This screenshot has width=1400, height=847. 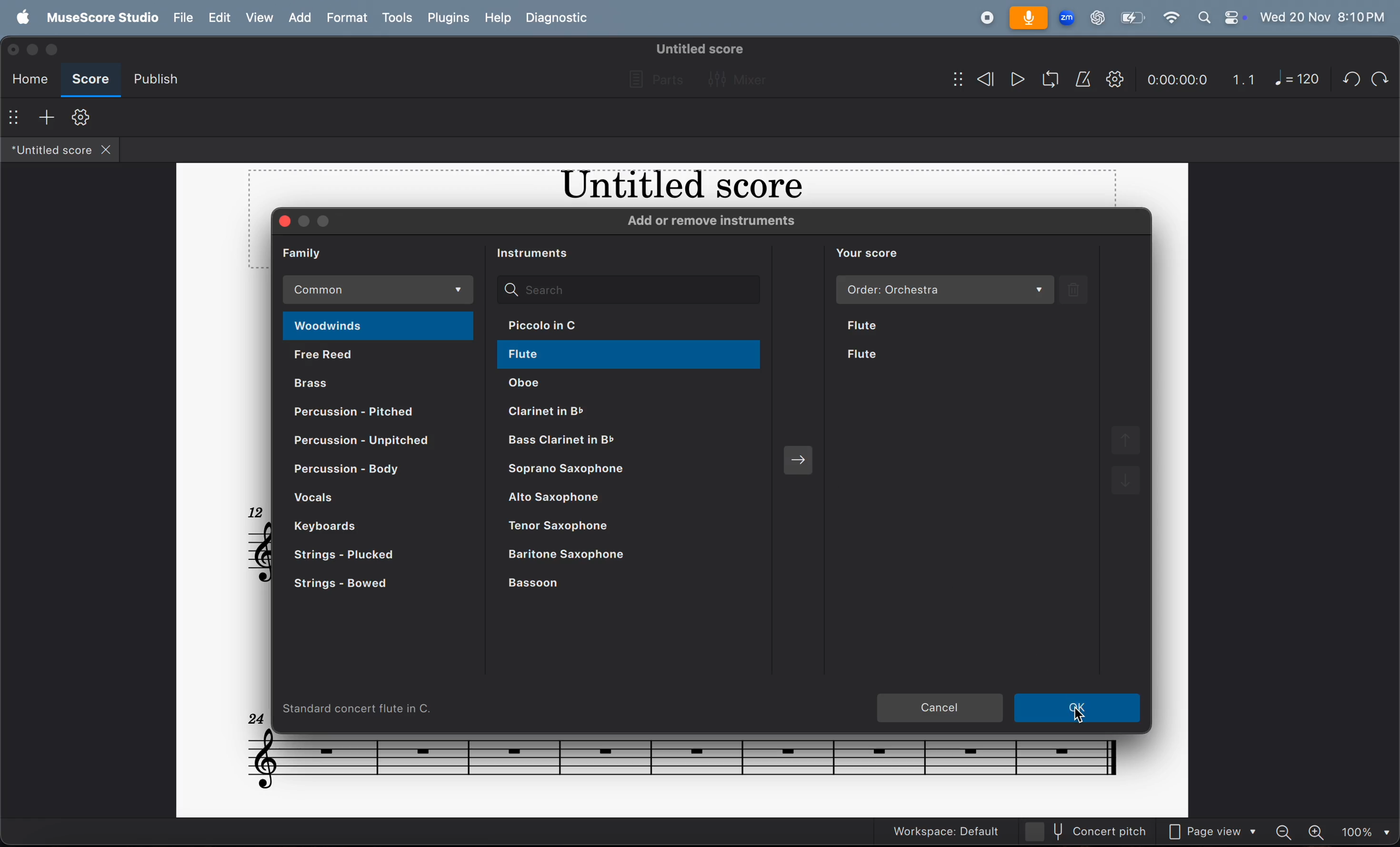 I want to click on basson, so click(x=622, y=584).